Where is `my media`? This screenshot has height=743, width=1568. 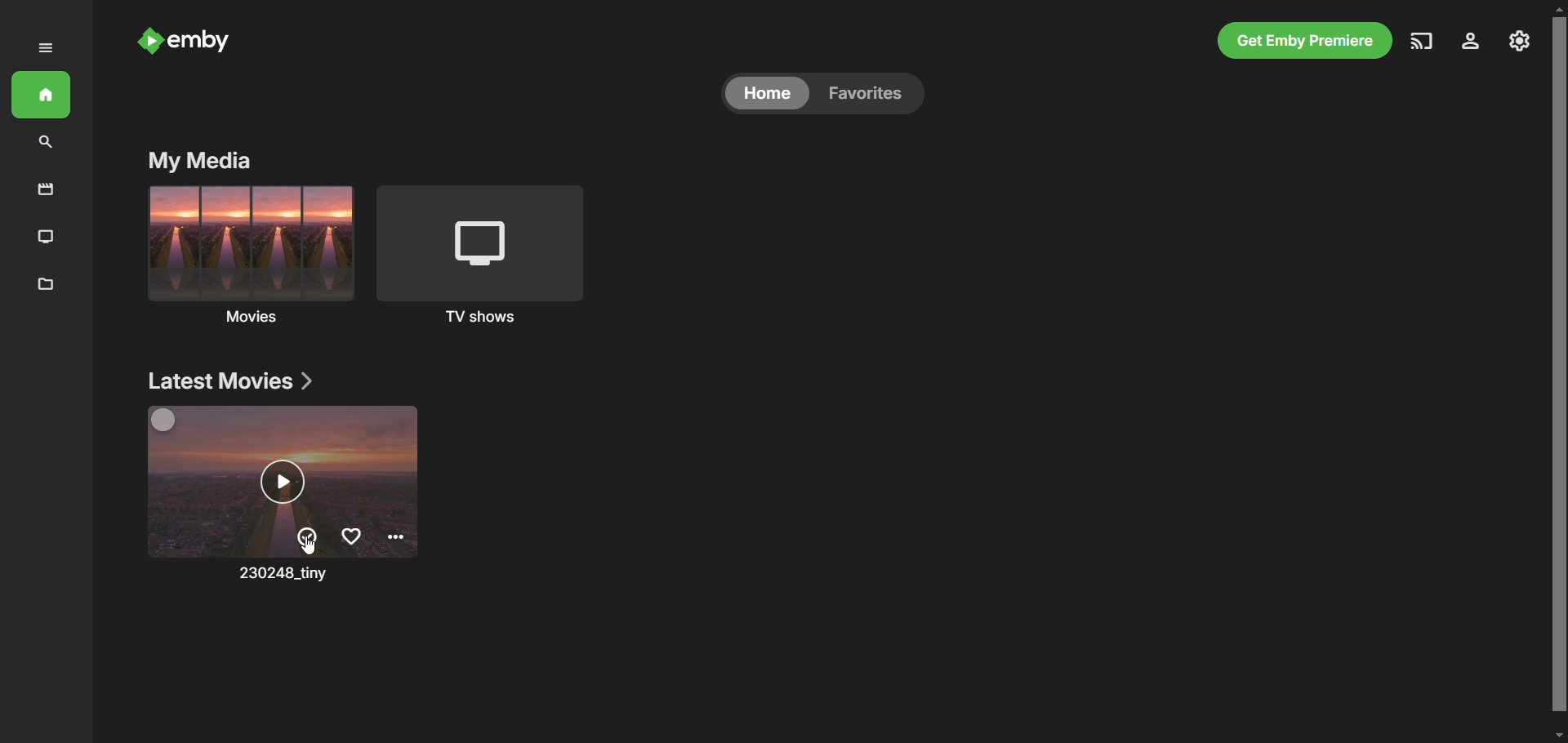 my media is located at coordinates (198, 162).